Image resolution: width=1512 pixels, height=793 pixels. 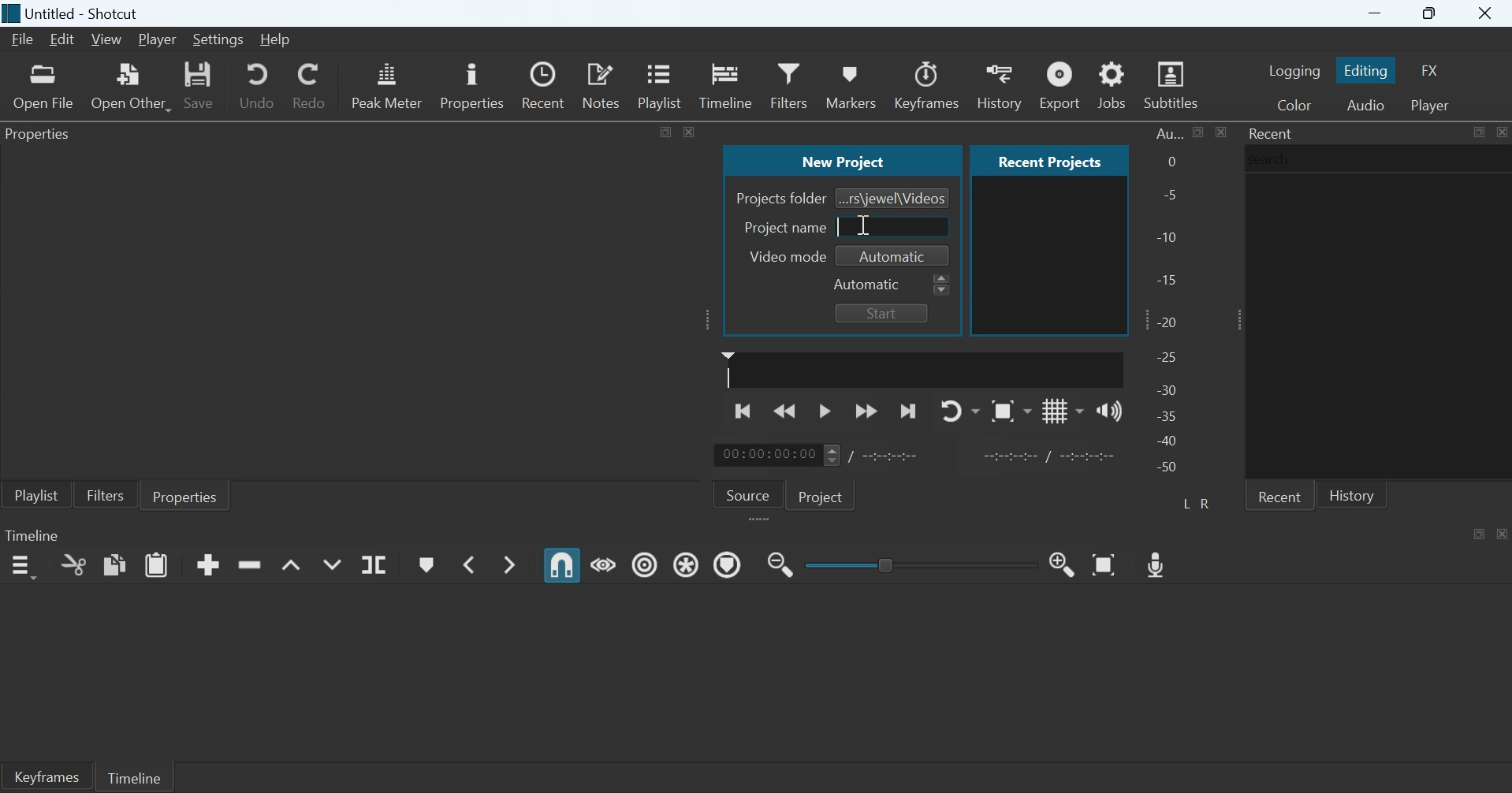 What do you see at coordinates (562, 565) in the screenshot?
I see `Snap` at bounding box center [562, 565].